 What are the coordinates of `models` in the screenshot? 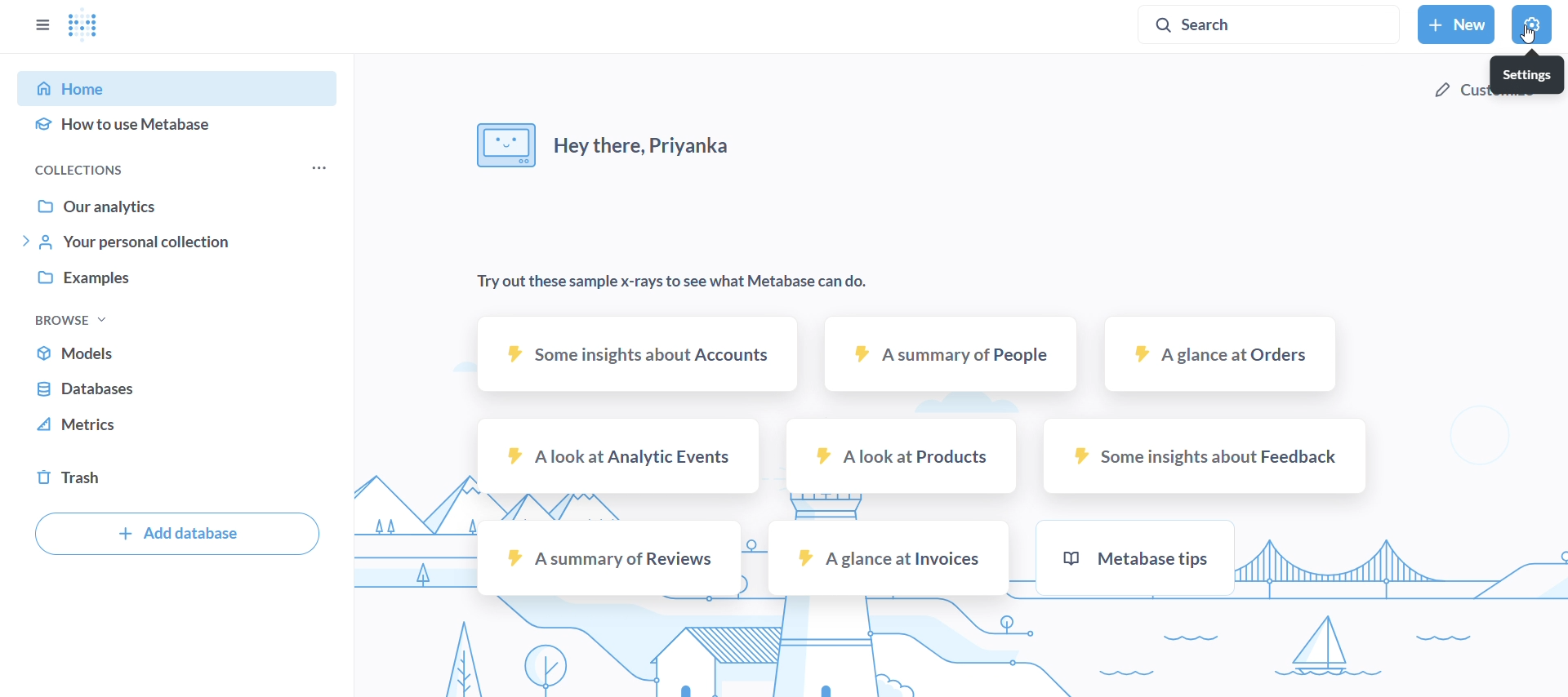 It's located at (179, 352).